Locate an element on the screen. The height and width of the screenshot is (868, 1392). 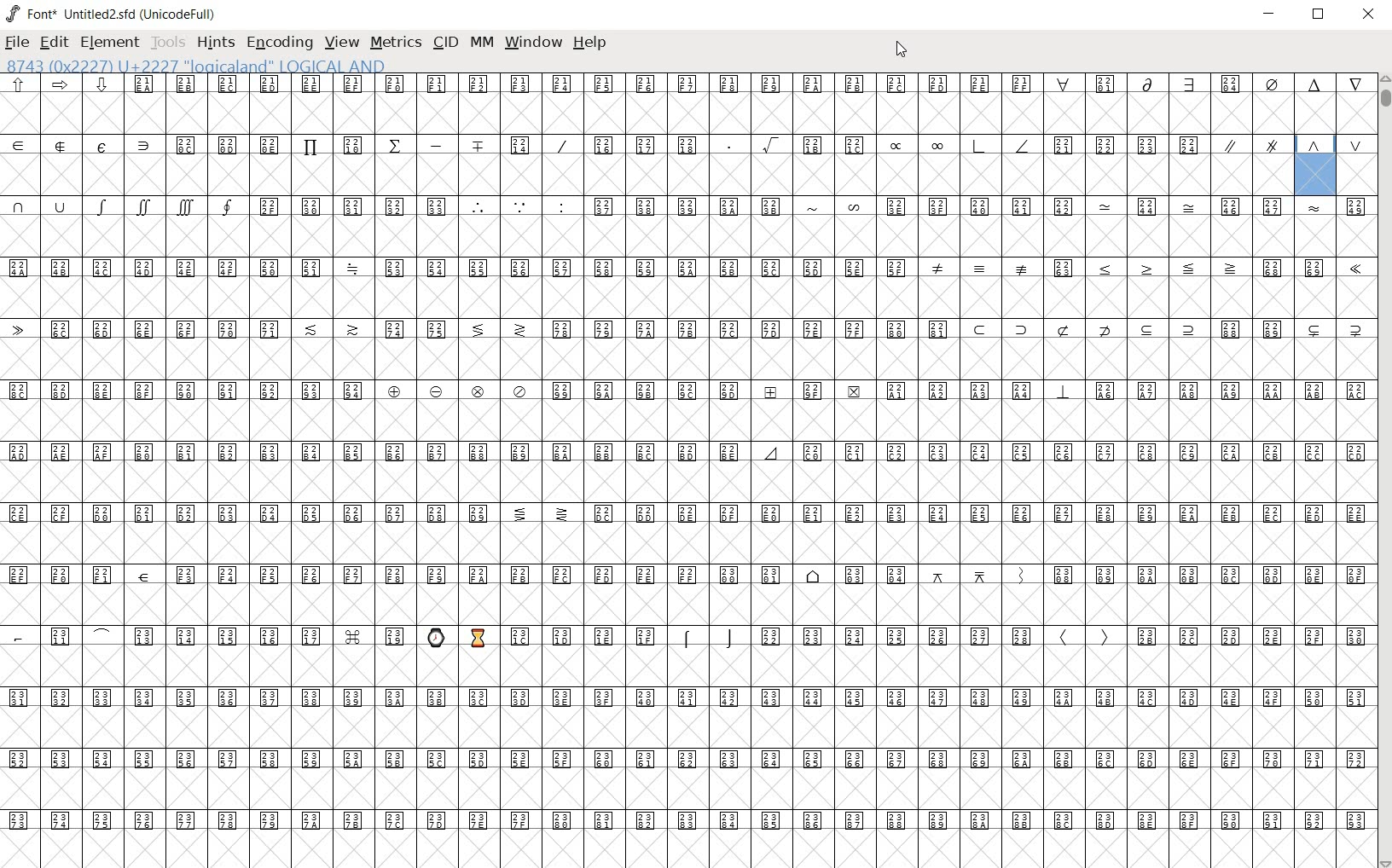
tools is located at coordinates (169, 42).